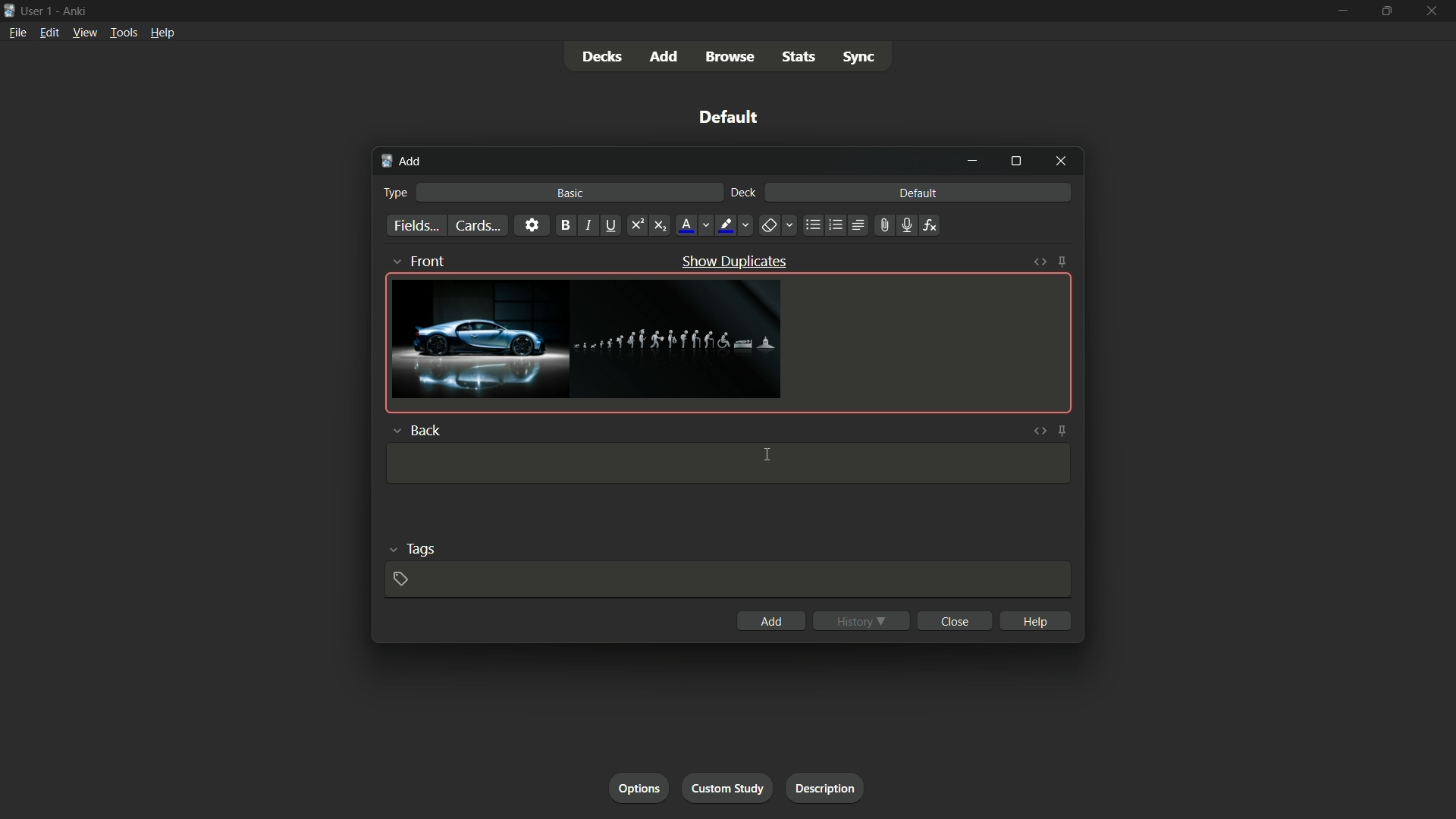  I want to click on supercript, so click(639, 224).